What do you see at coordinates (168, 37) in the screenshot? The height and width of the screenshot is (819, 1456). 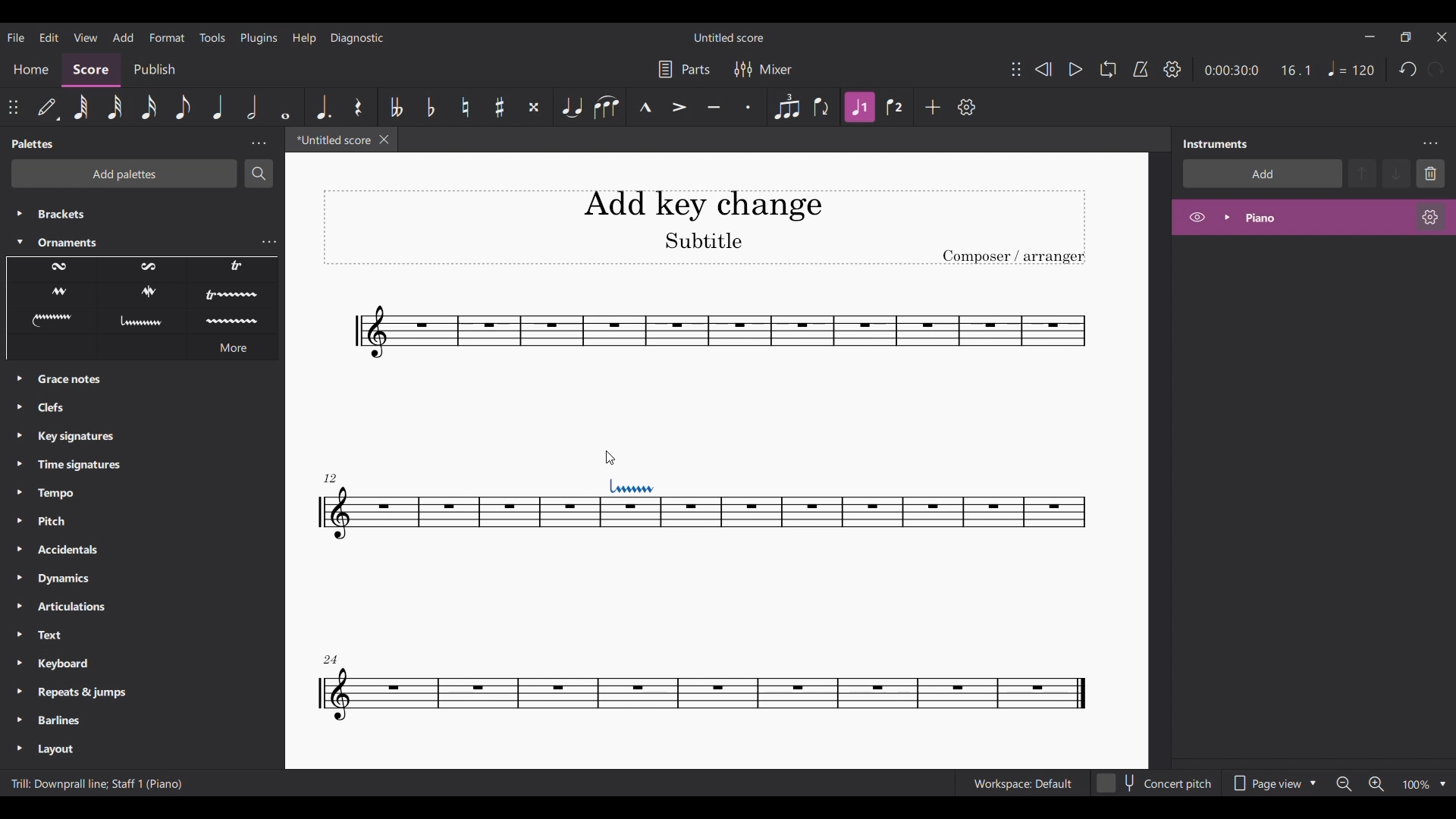 I see `Format menu` at bounding box center [168, 37].